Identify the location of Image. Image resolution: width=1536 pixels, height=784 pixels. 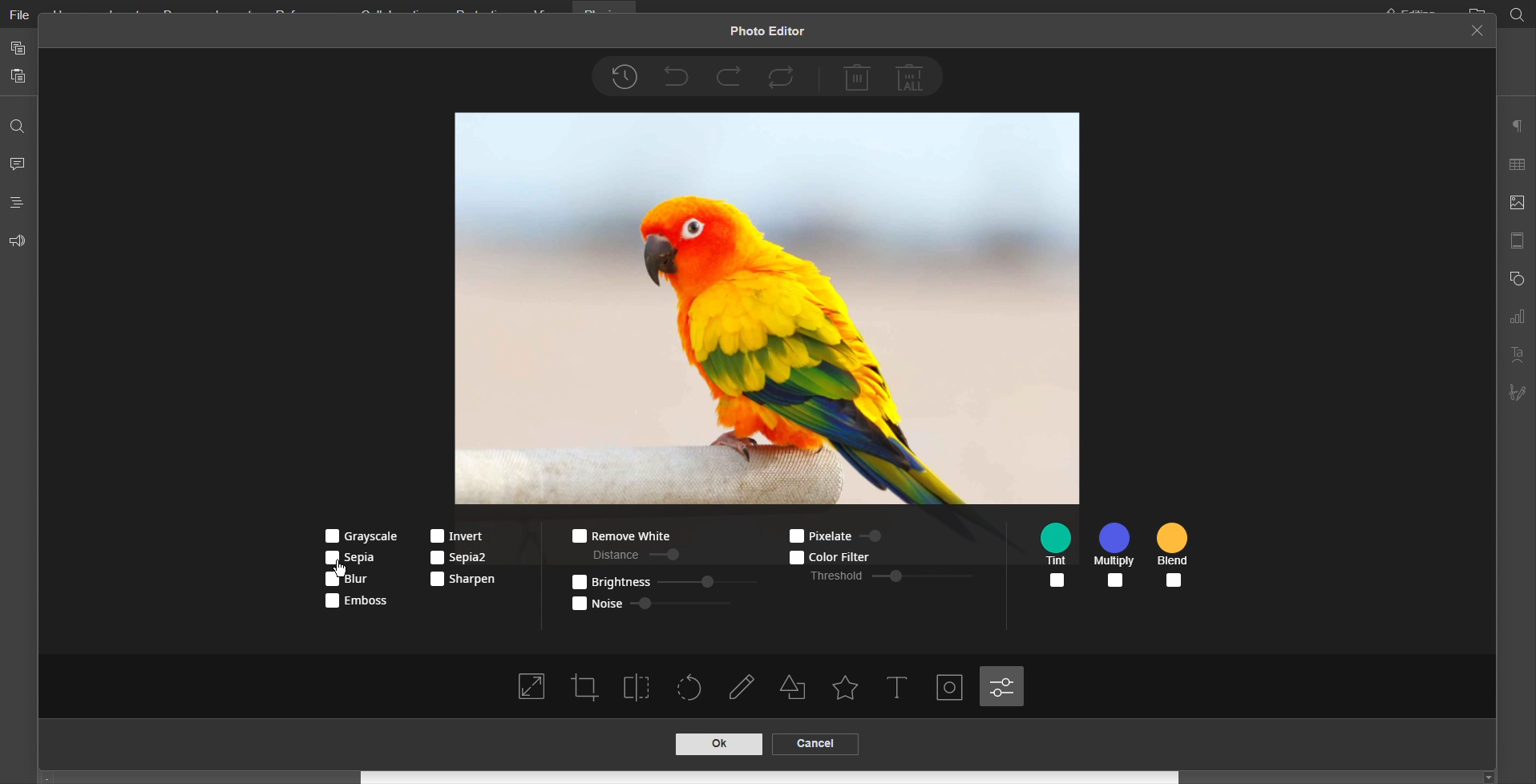
(765, 309).